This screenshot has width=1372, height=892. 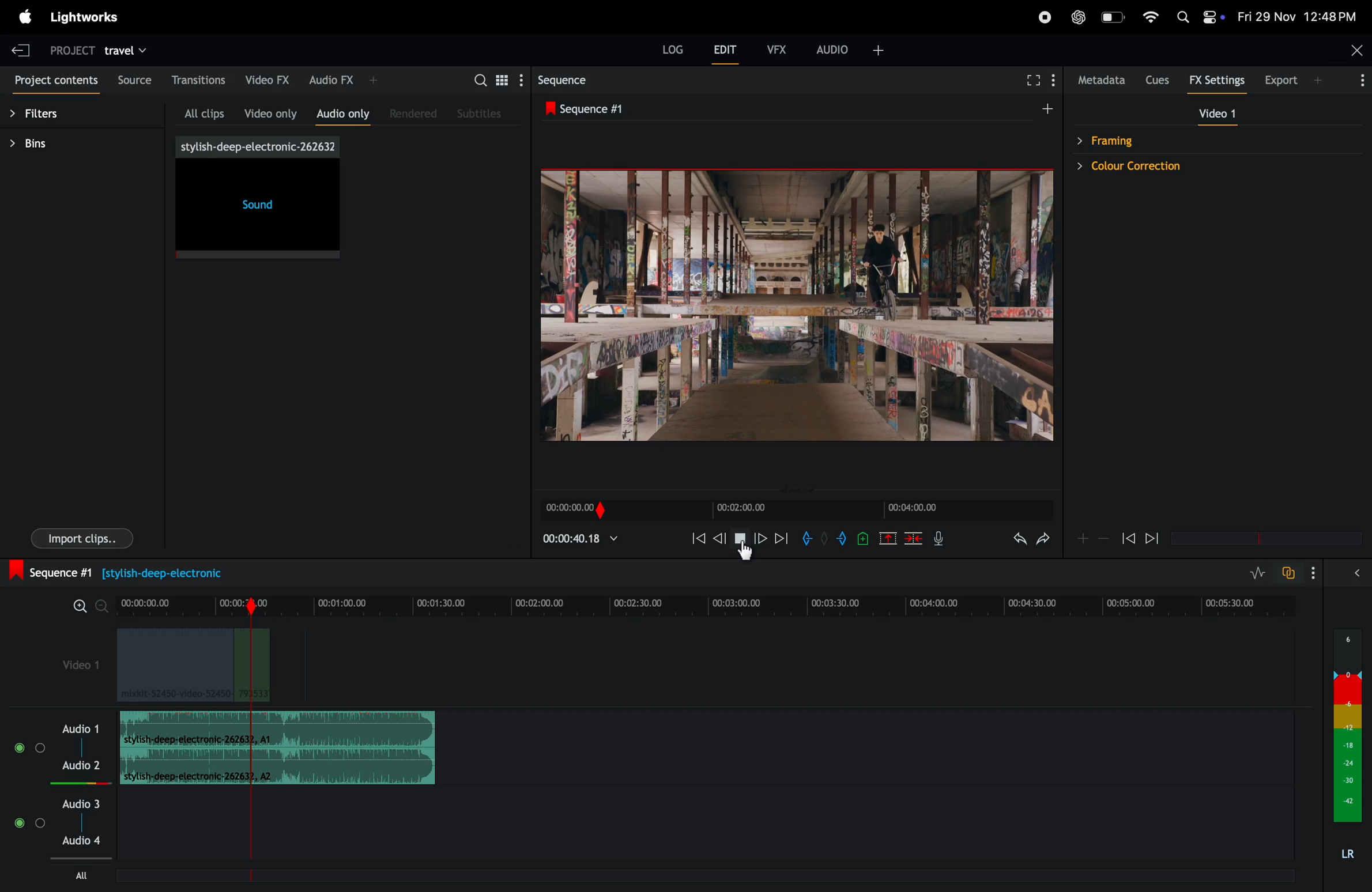 What do you see at coordinates (581, 538) in the screenshot?
I see `play back time` at bounding box center [581, 538].